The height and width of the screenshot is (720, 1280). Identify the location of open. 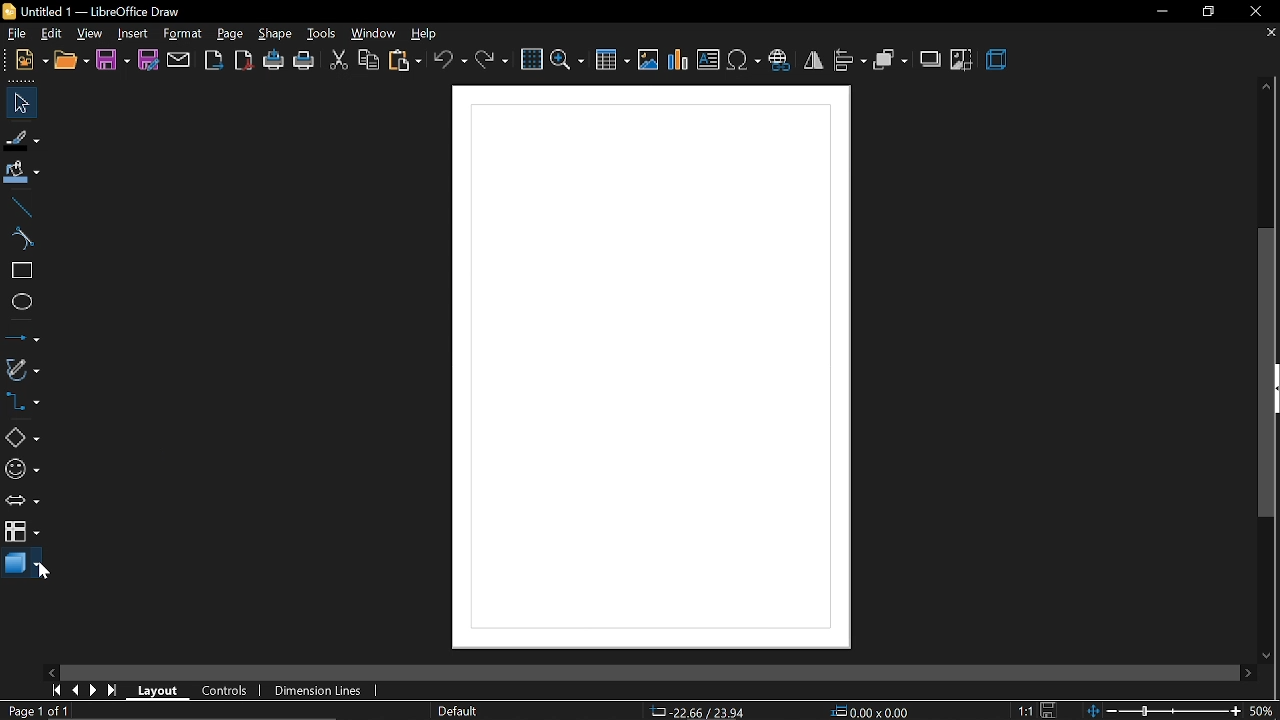
(70, 60).